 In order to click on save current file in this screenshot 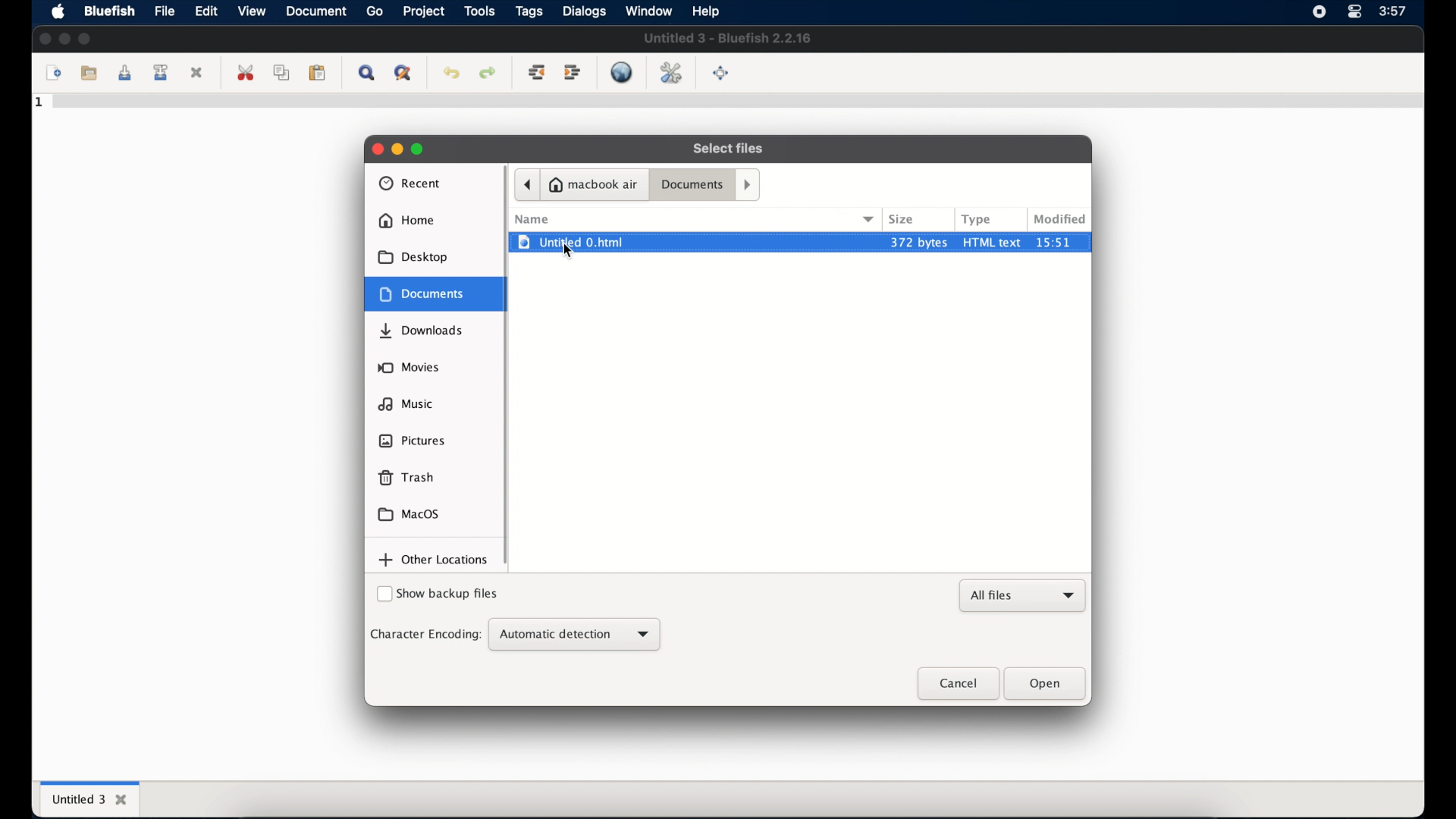, I will do `click(124, 74)`.